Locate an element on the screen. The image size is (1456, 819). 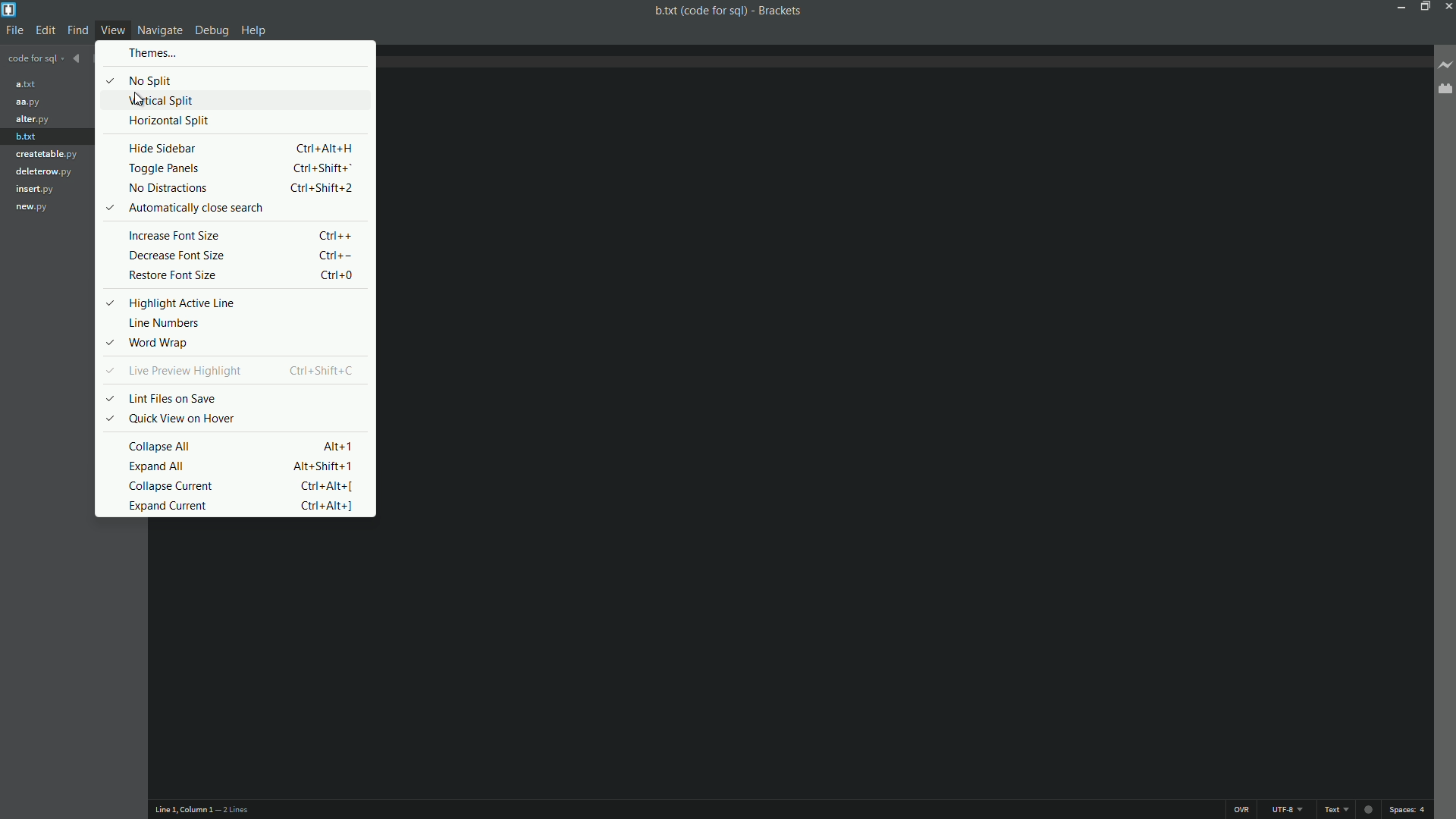
Navigate backward is located at coordinates (77, 58).